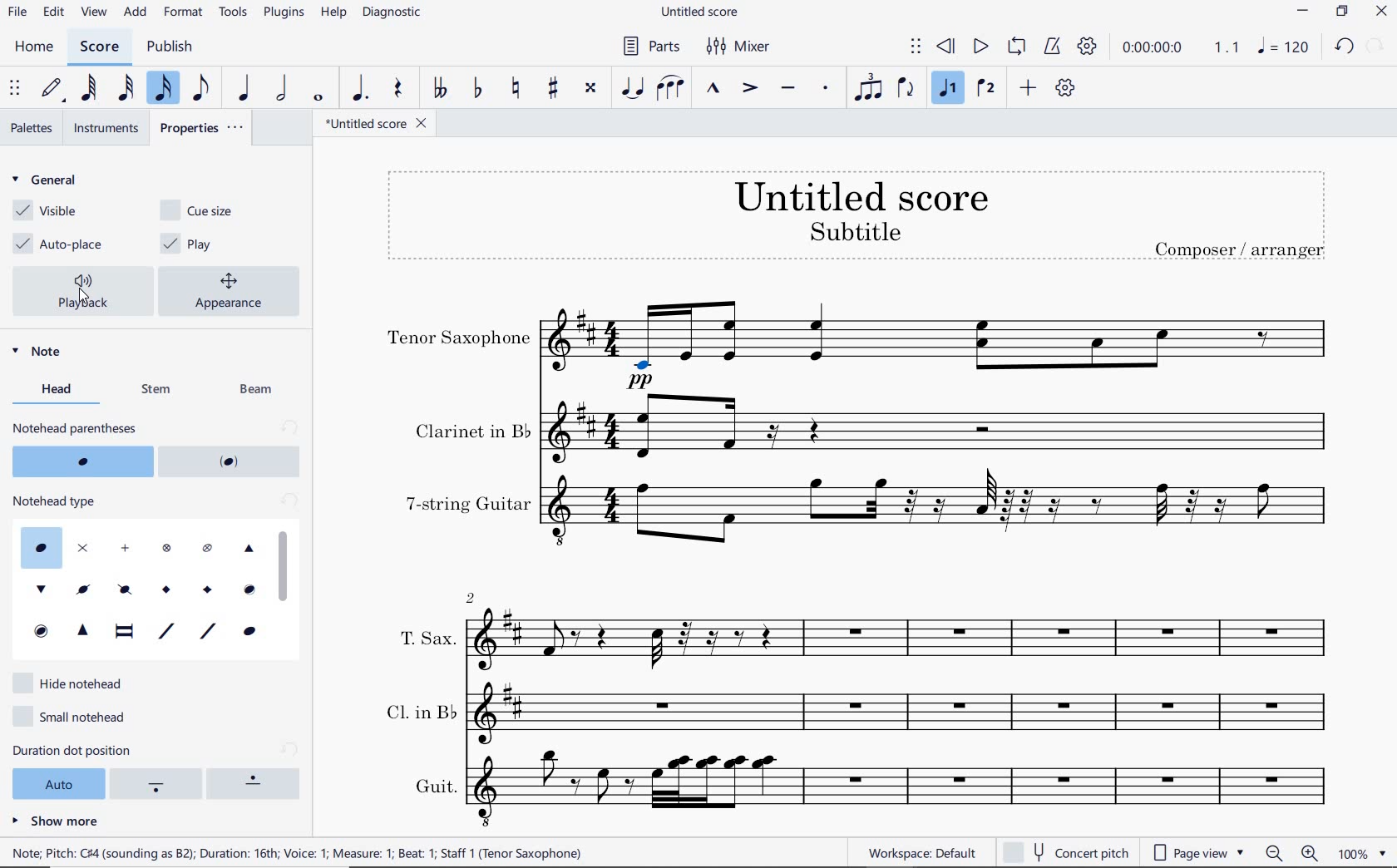 The width and height of the screenshot is (1397, 868). I want to click on cursor, so click(85, 295).